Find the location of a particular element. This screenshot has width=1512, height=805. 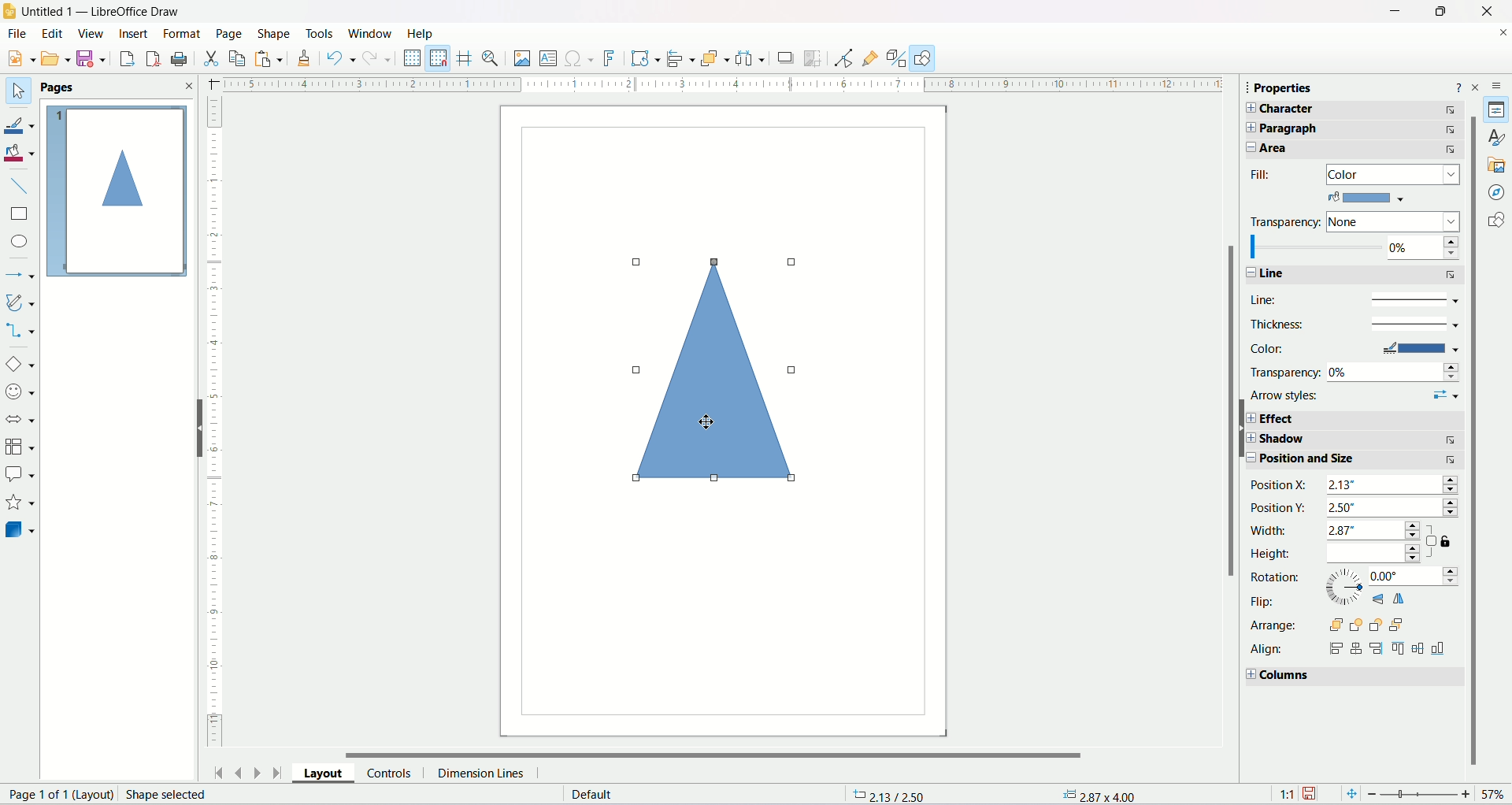

Scale Factor is located at coordinates (1286, 794).